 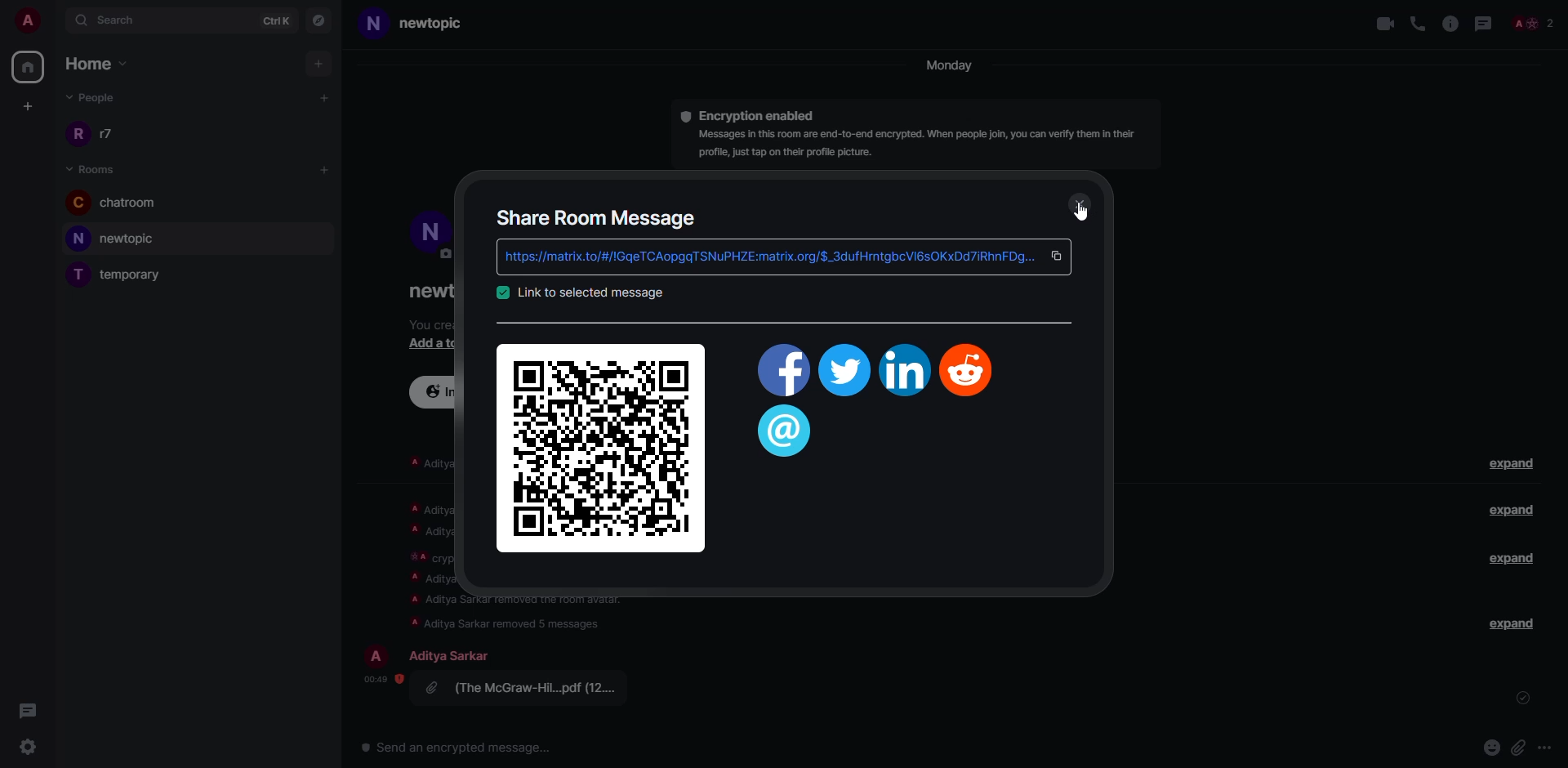 What do you see at coordinates (1525, 699) in the screenshot?
I see `sent` at bounding box center [1525, 699].